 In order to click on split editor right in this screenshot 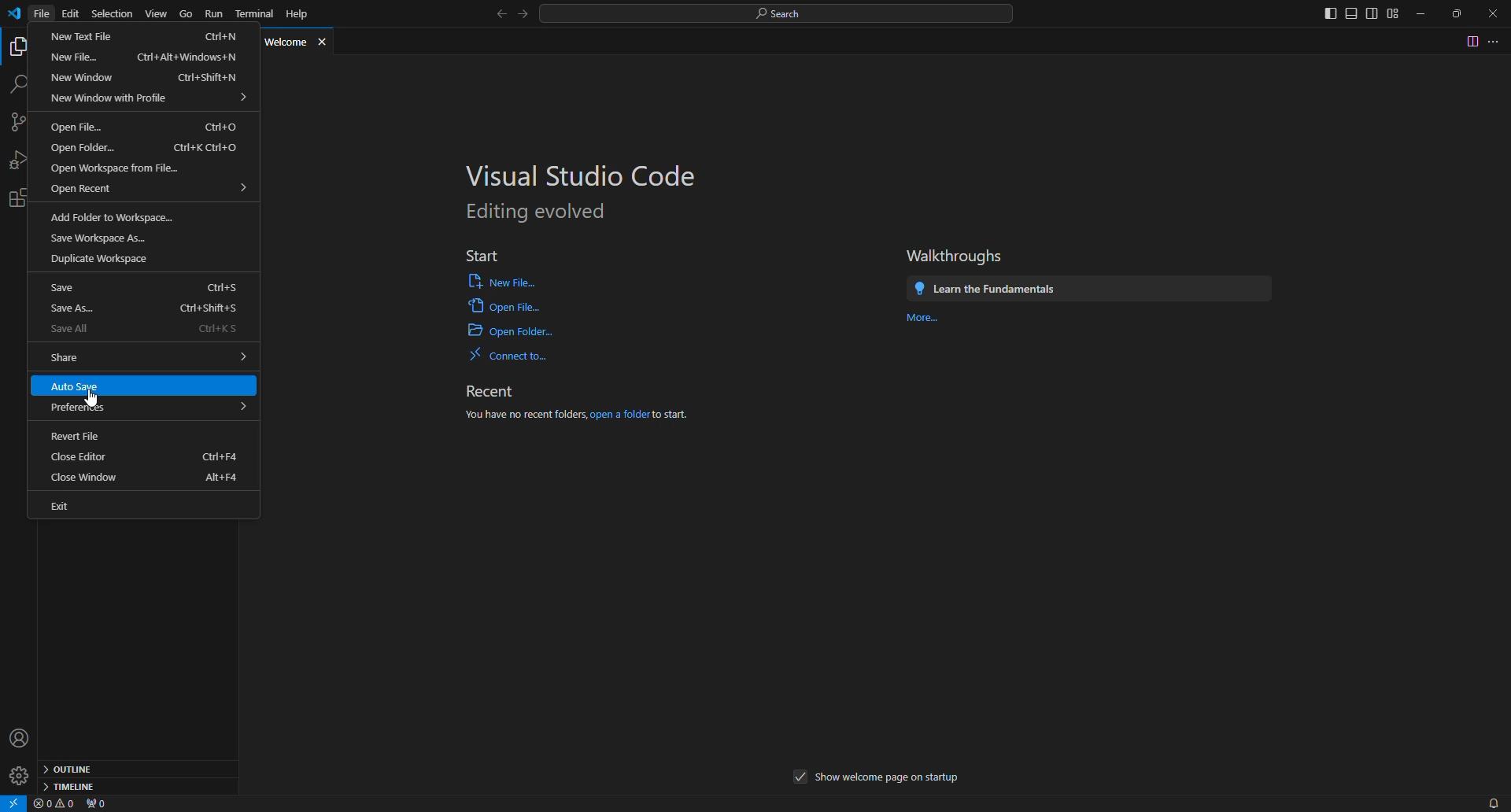, I will do `click(1470, 41)`.